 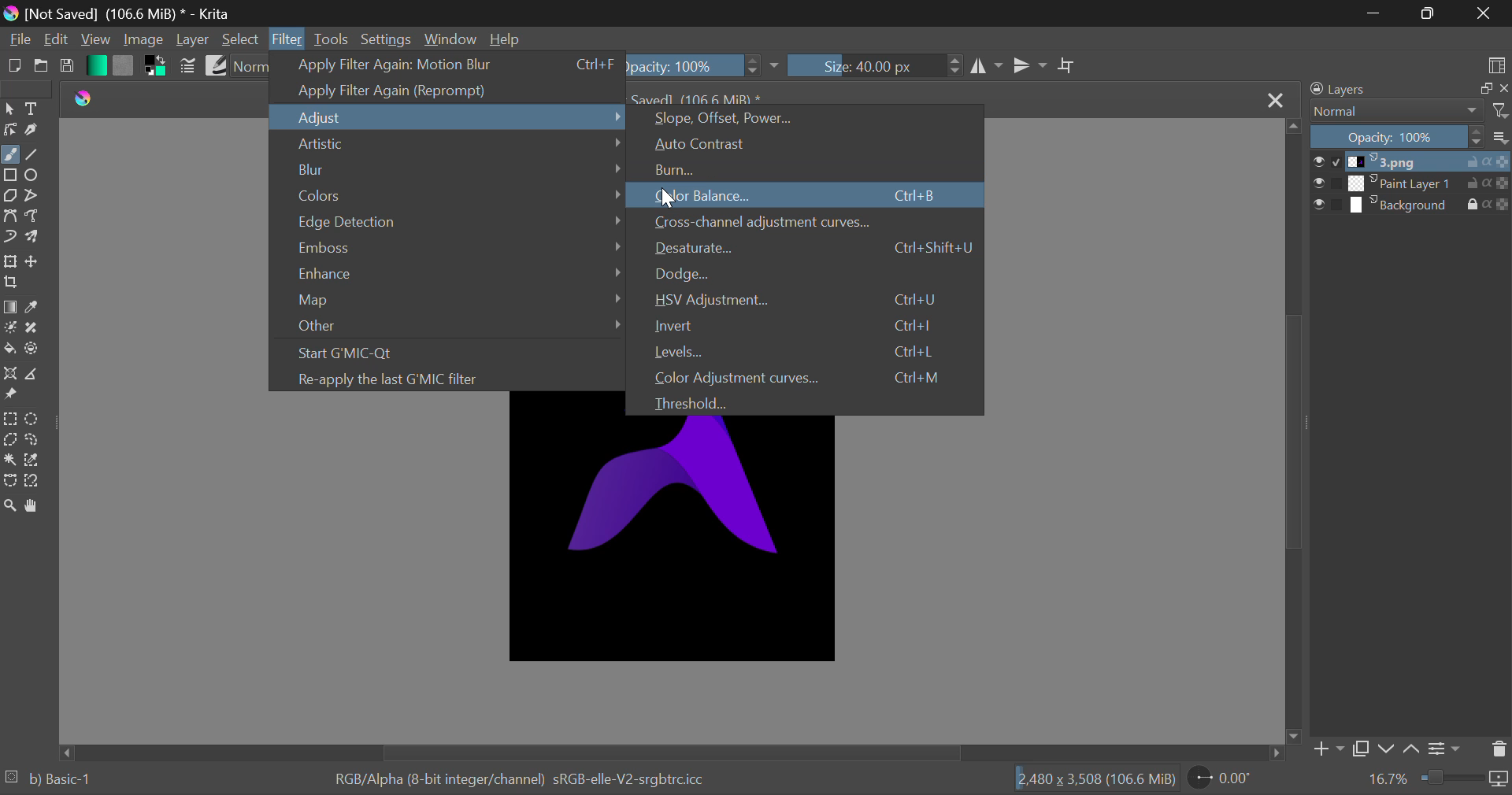 What do you see at coordinates (10, 238) in the screenshot?
I see `Dynamic Brush` at bounding box center [10, 238].